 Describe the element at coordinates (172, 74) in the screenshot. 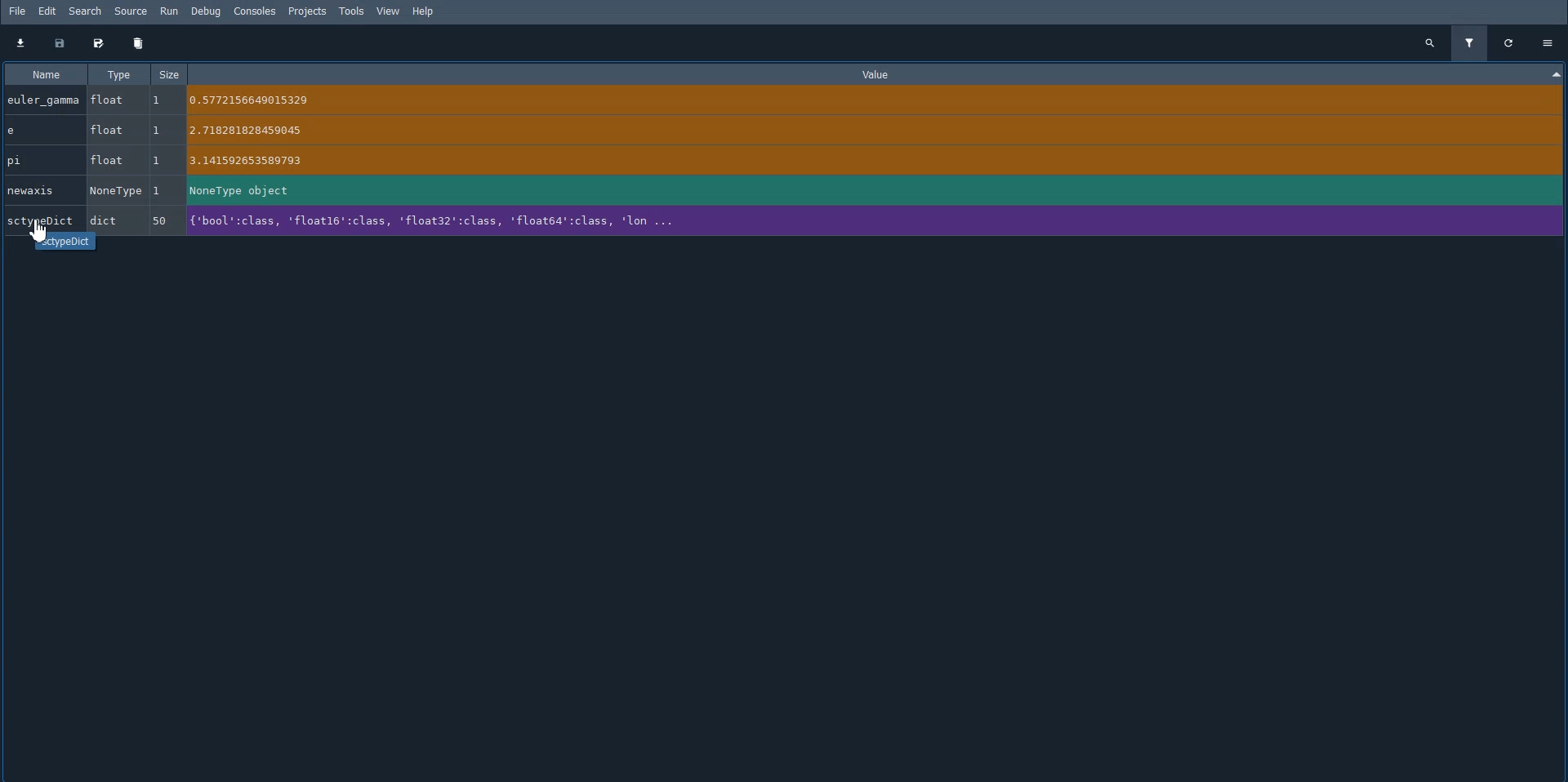

I see `Size` at that location.